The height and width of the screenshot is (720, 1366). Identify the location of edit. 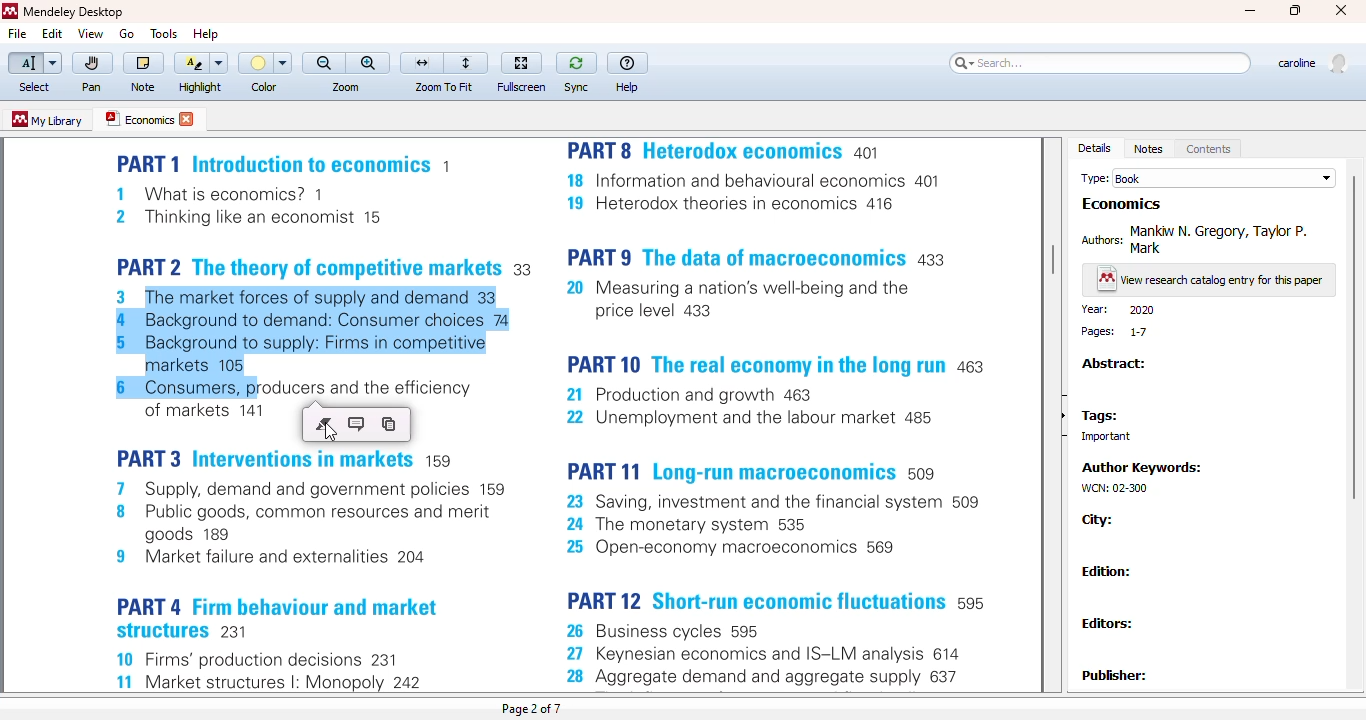
(53, 34).